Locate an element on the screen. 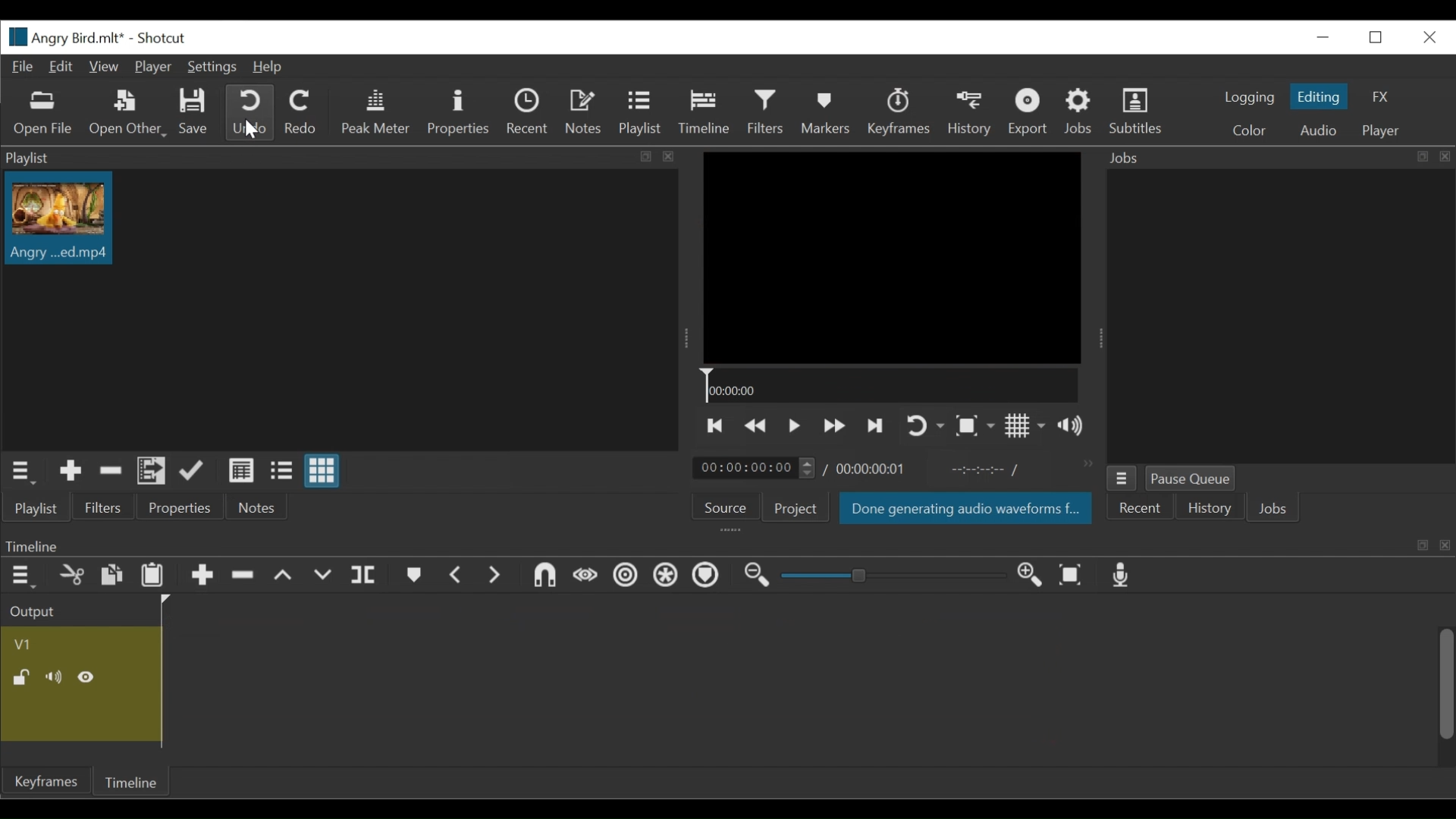 This screenshot has height=819, width=1456. zoom timeline out is located at coordinates (759, 576).